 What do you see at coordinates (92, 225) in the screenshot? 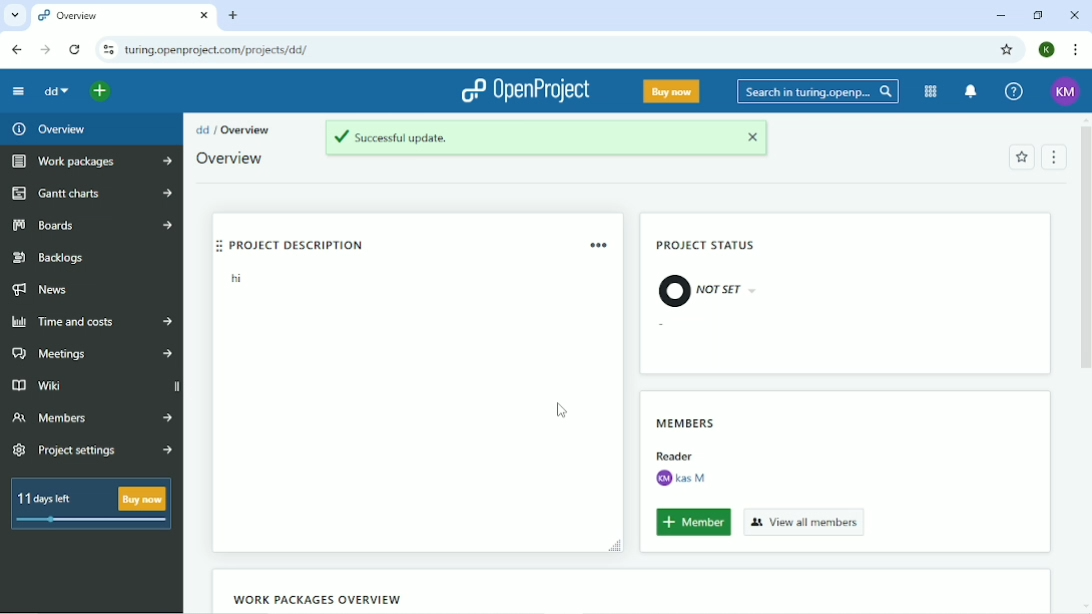
I see `Boards` at bounding box center [92, 225].